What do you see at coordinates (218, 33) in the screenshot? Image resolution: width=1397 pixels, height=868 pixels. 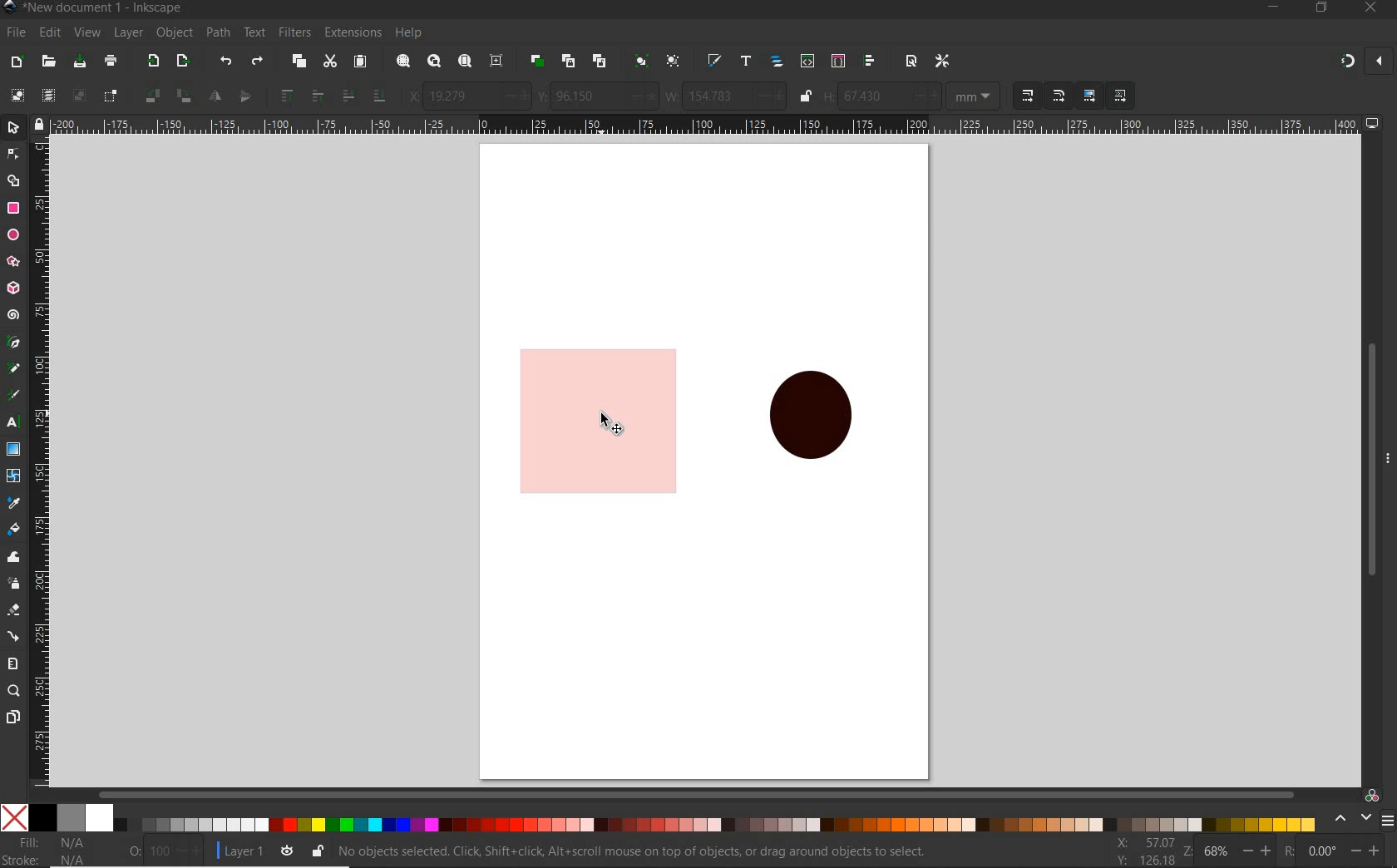 I see `path` at bounding box center [218, 33].